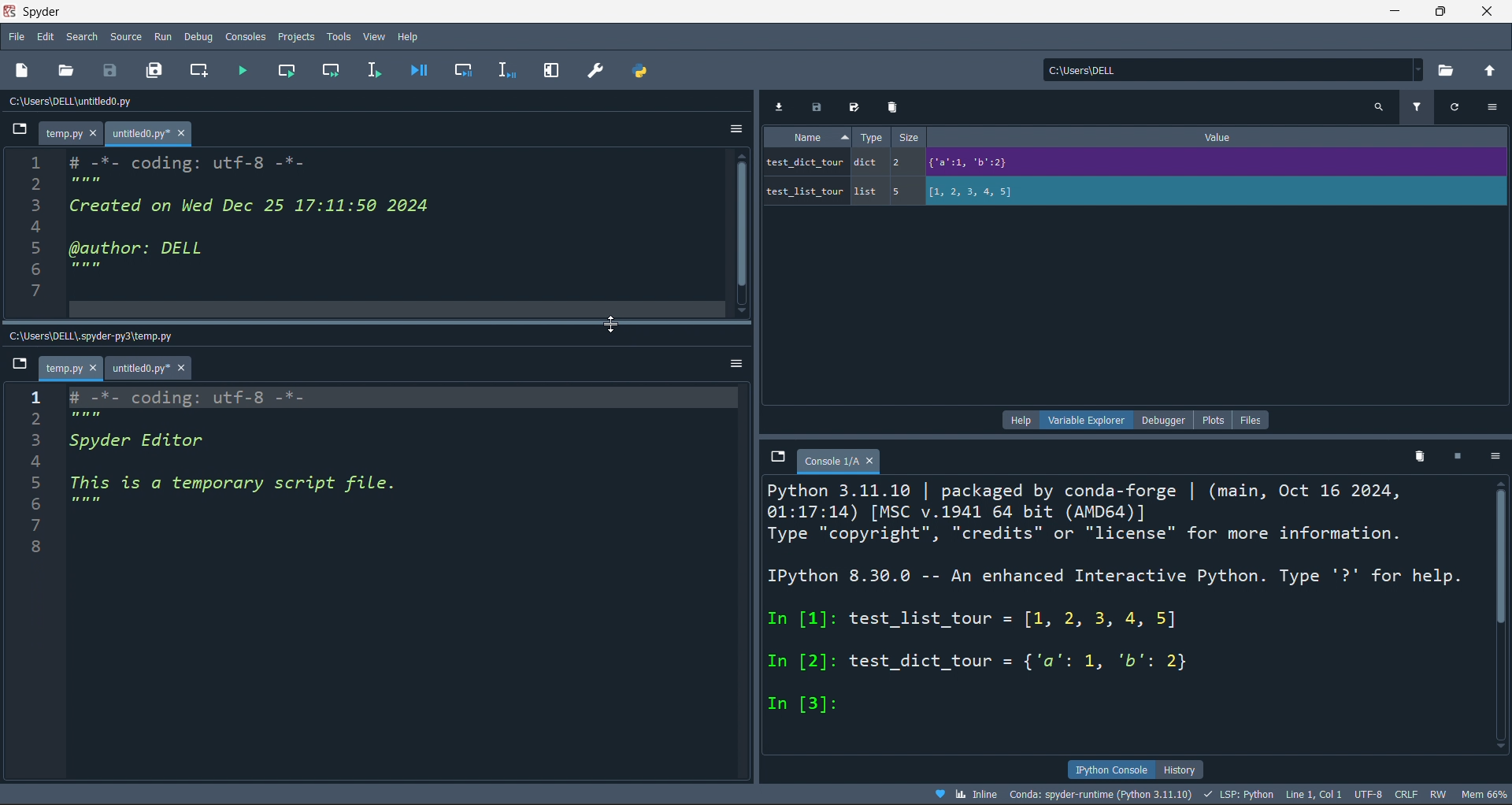 The image size is (1512, 805). I want to click on 2 Rp, so click(88, 417).